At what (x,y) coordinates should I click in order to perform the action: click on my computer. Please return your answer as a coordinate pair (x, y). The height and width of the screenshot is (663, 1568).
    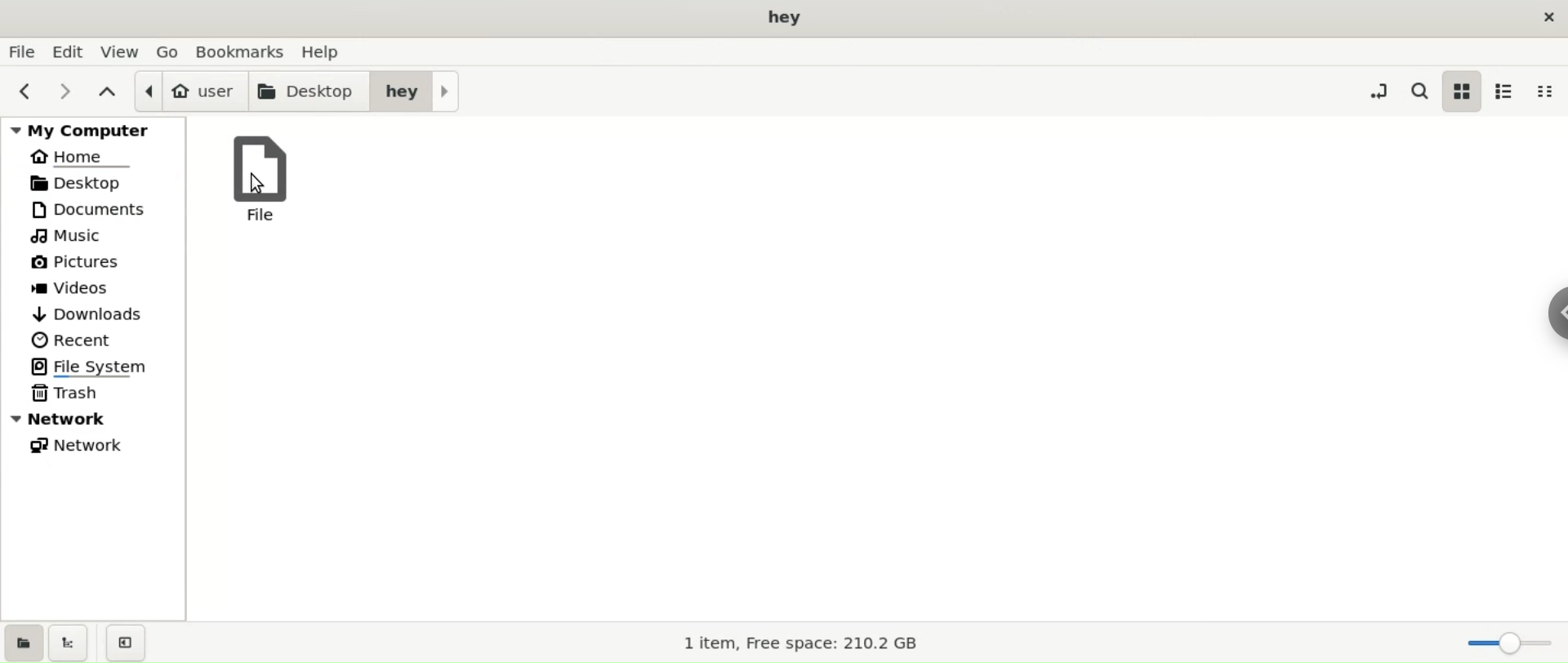
    Looking at the image, I should click on (93, 133).